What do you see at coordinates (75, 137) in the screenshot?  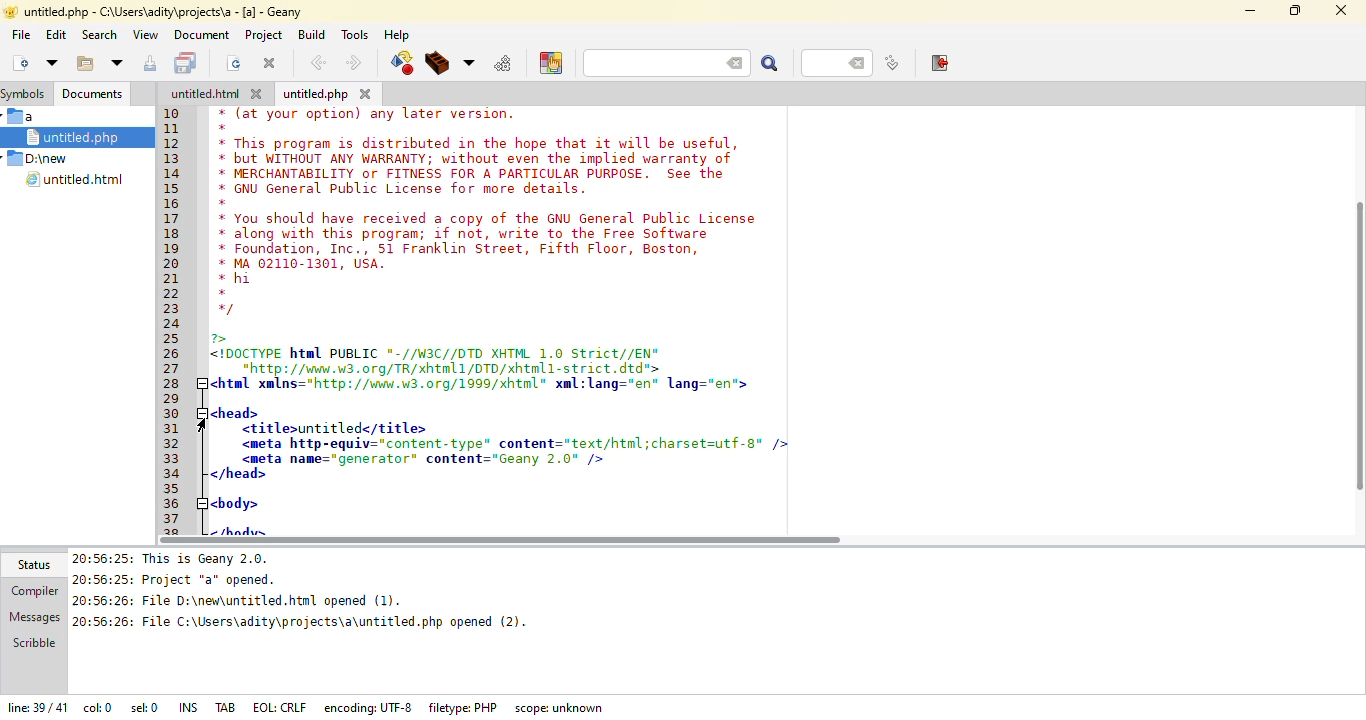 I see `untitled.php` at bounding box center [75, 137].